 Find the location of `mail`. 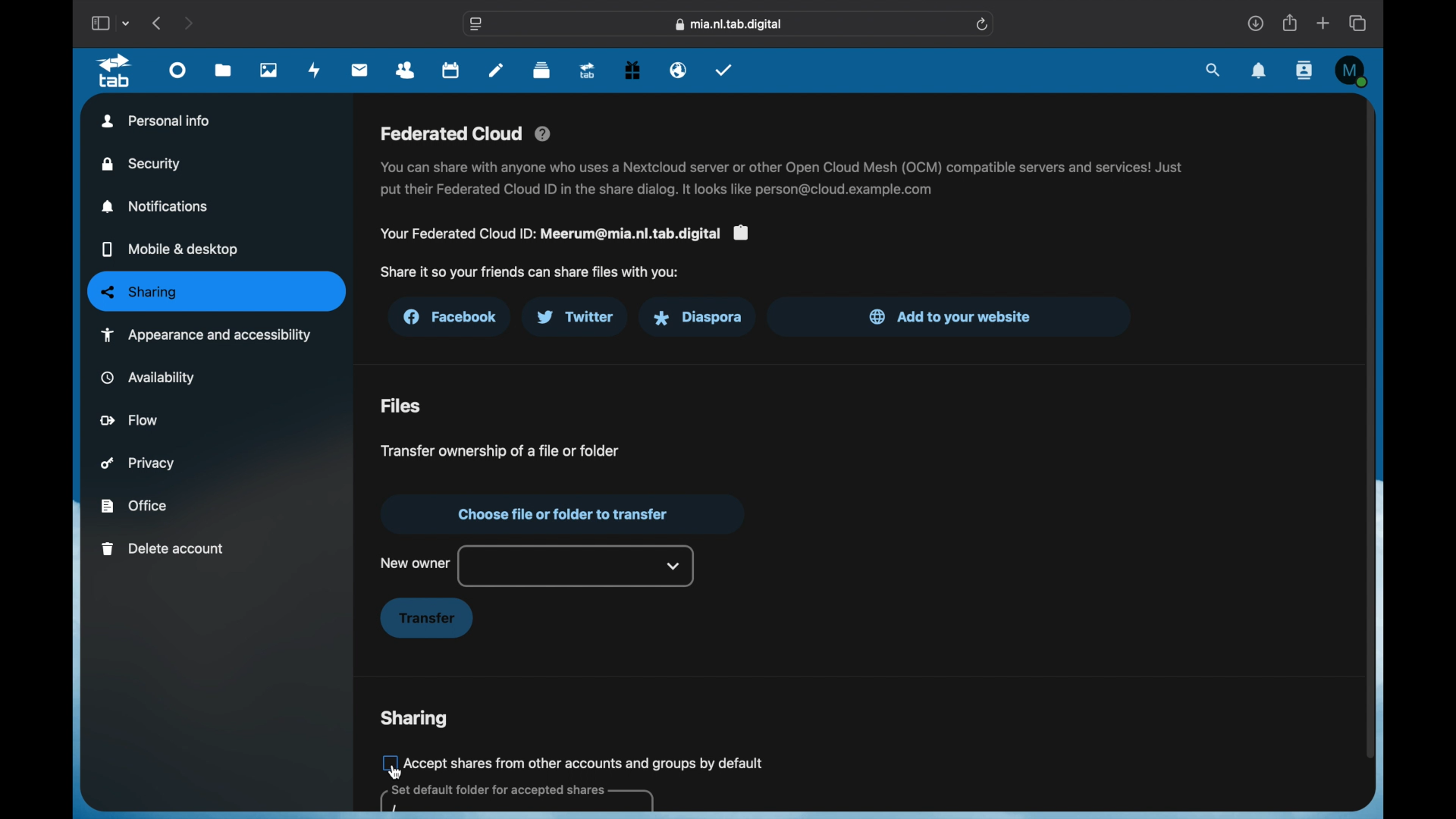

mail is located at coordinates (361, 70).